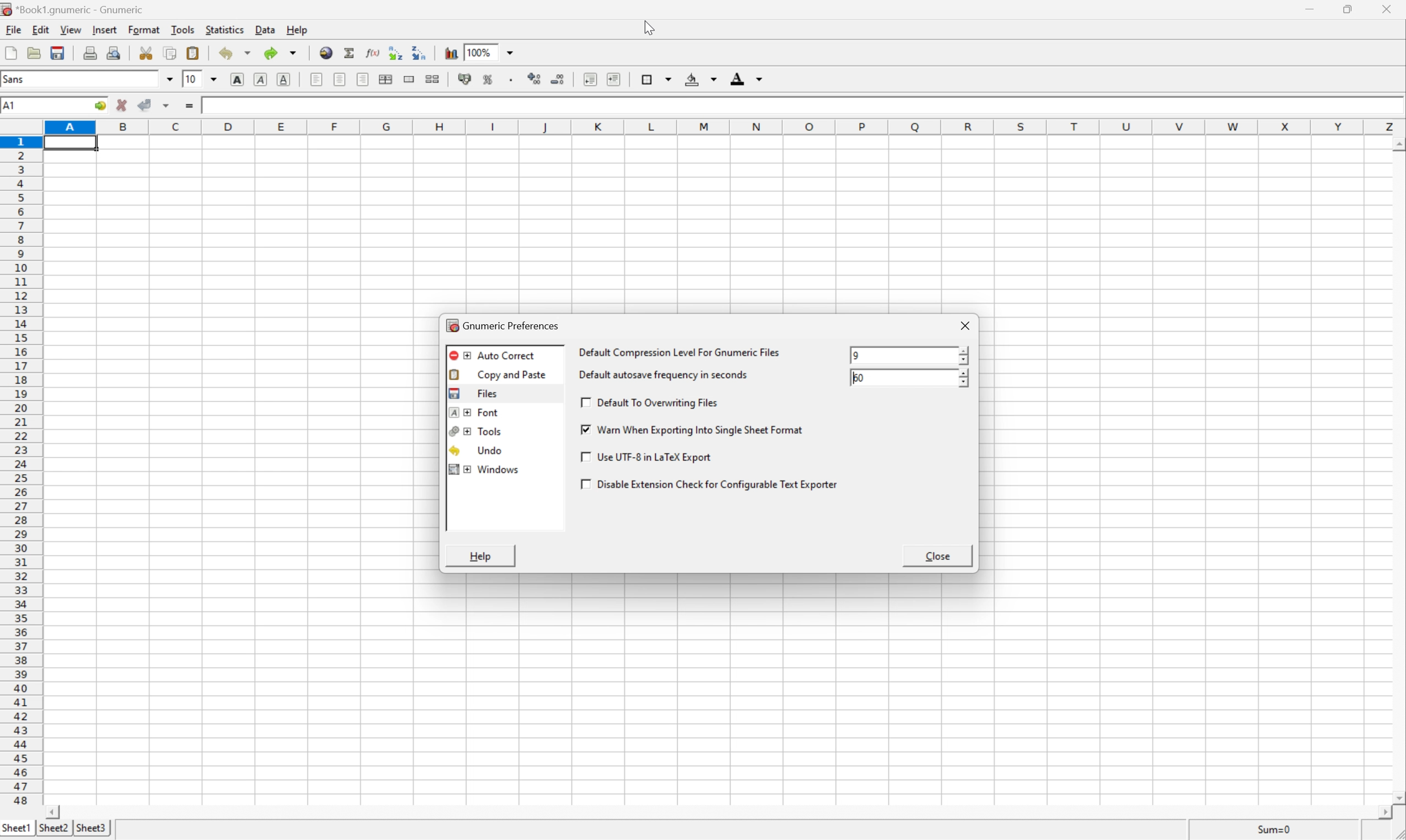 The height and width of the screenshot is (840, 1406). Describe the element at coordinates (59, 53) in the screenshot. I see `save current workbook` at that location.